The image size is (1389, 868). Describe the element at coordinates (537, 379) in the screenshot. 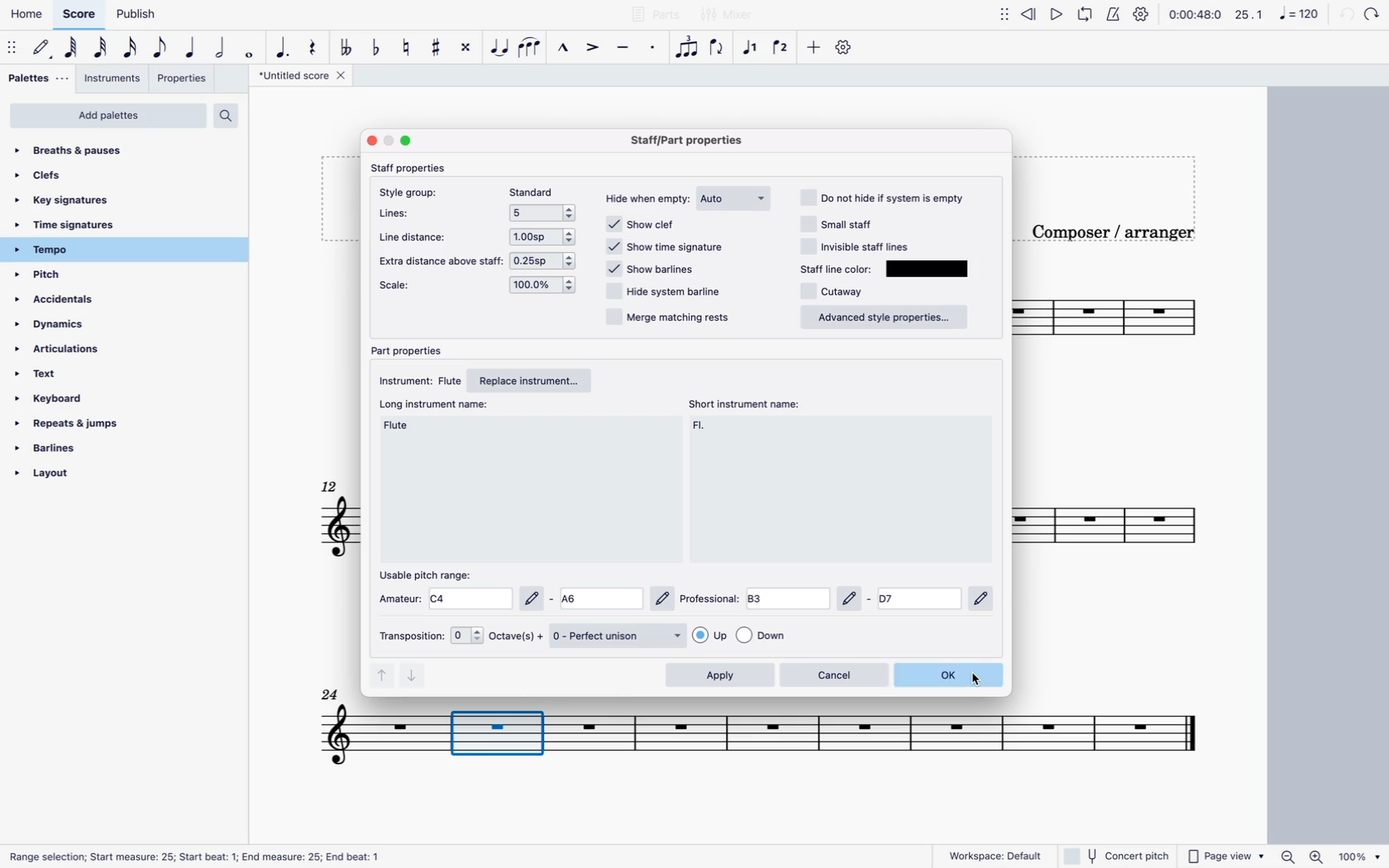

I see `replace instrument` at that location.